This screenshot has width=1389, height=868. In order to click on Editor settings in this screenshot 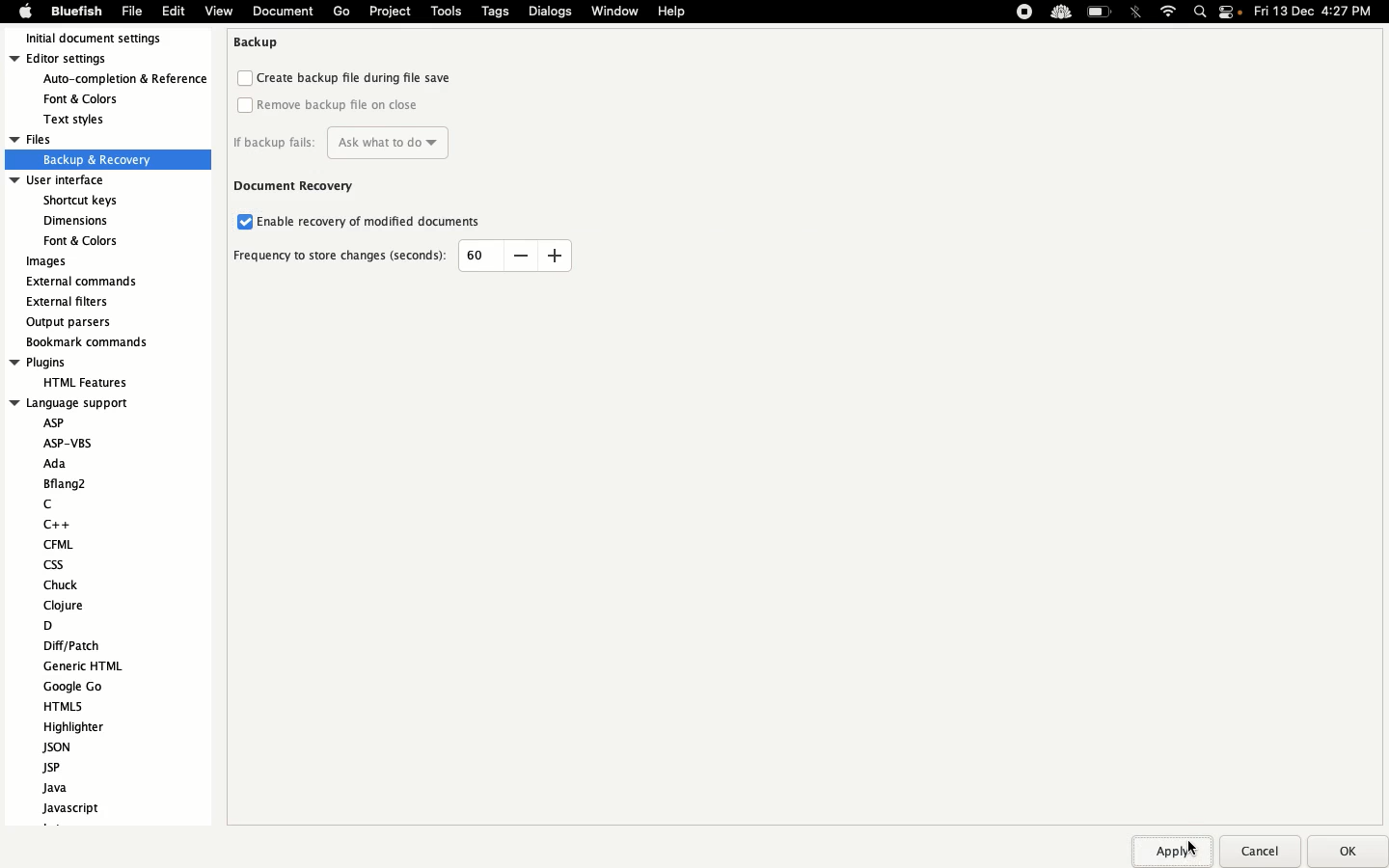, I will do `click(108, 89)`.